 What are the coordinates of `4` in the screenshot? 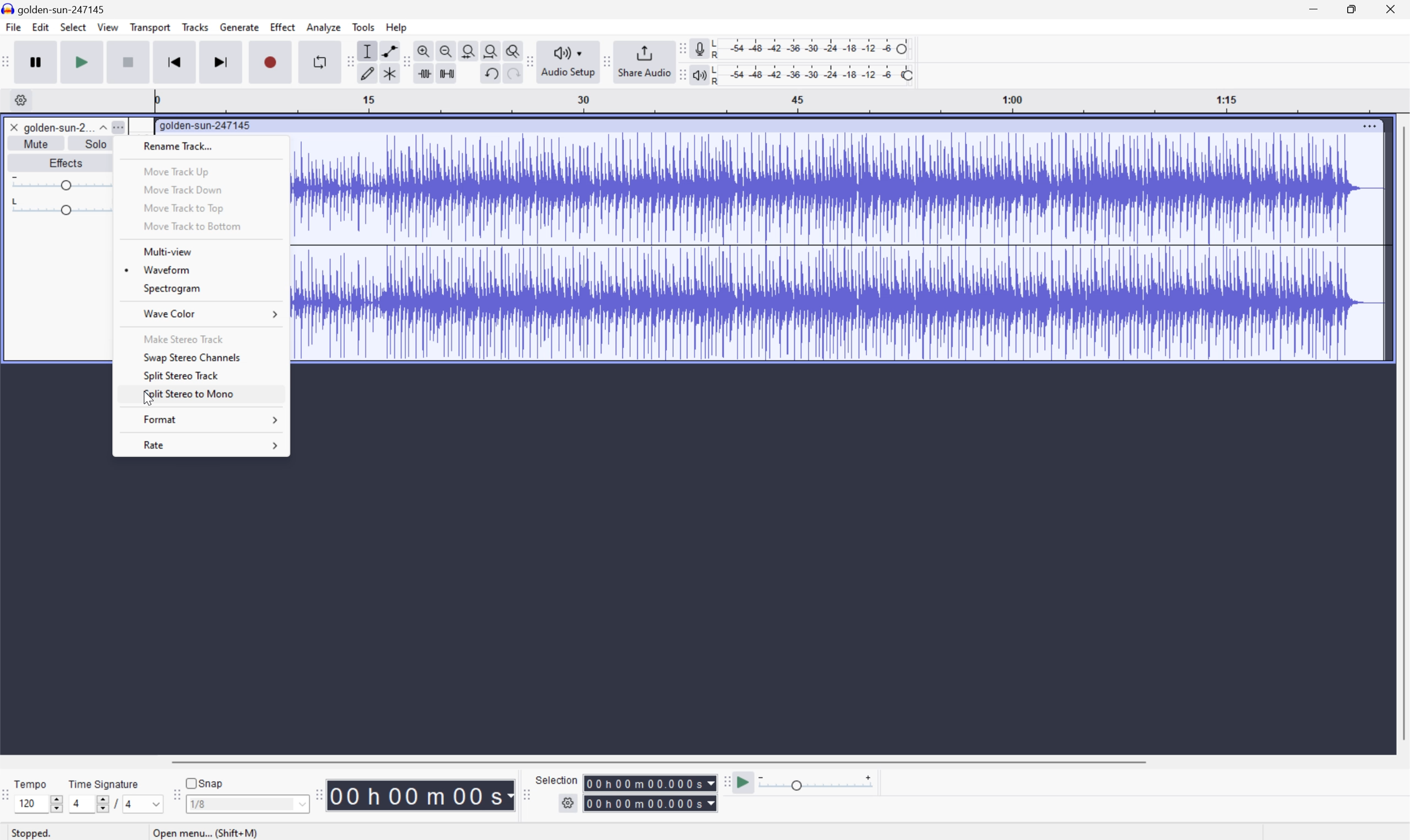 It's located at (133, 804).